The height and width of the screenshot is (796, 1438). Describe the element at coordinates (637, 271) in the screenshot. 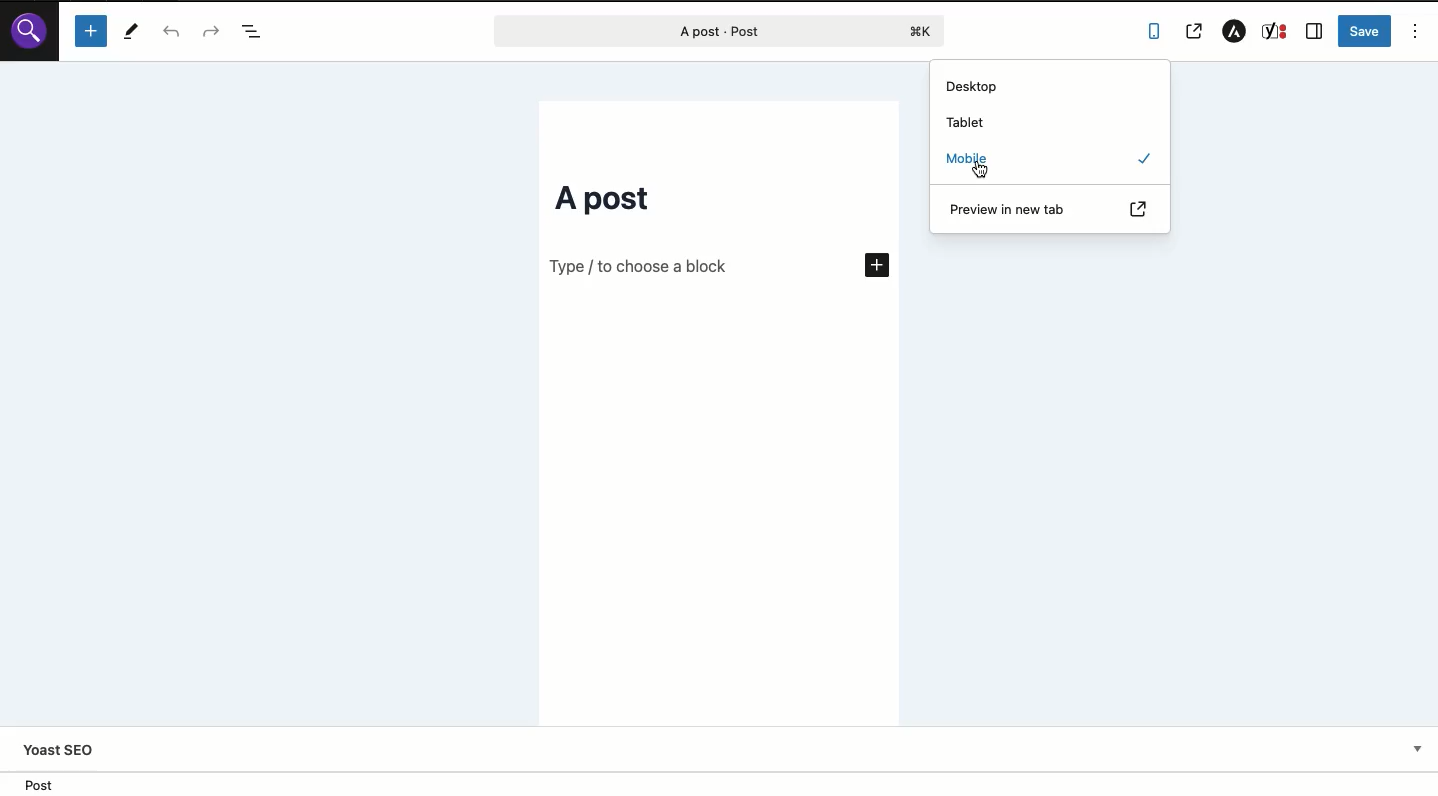

I see `type / choose a block` at that location.